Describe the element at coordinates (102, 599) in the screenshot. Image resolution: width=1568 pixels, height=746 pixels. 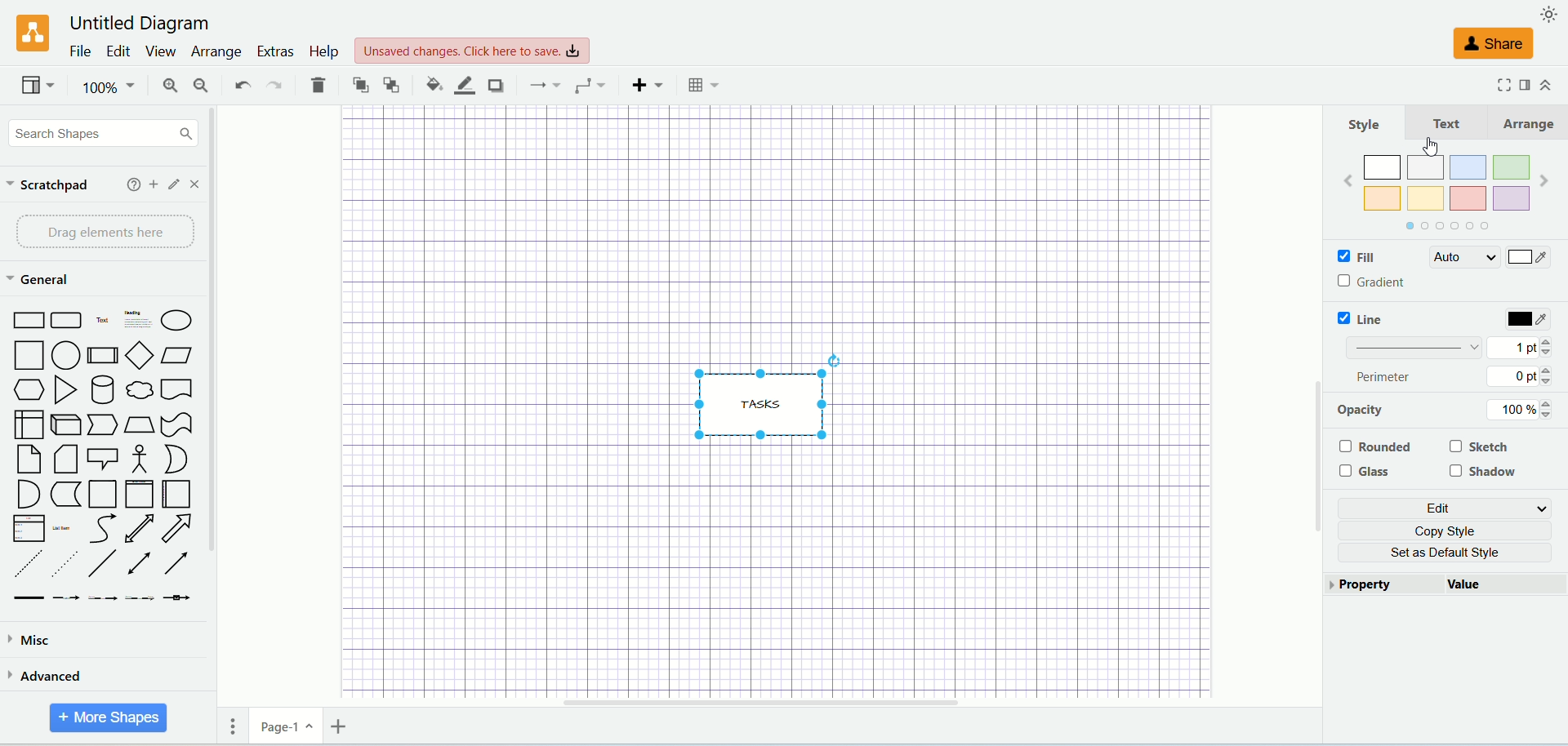
I see `Connector with 2 label` at that location.